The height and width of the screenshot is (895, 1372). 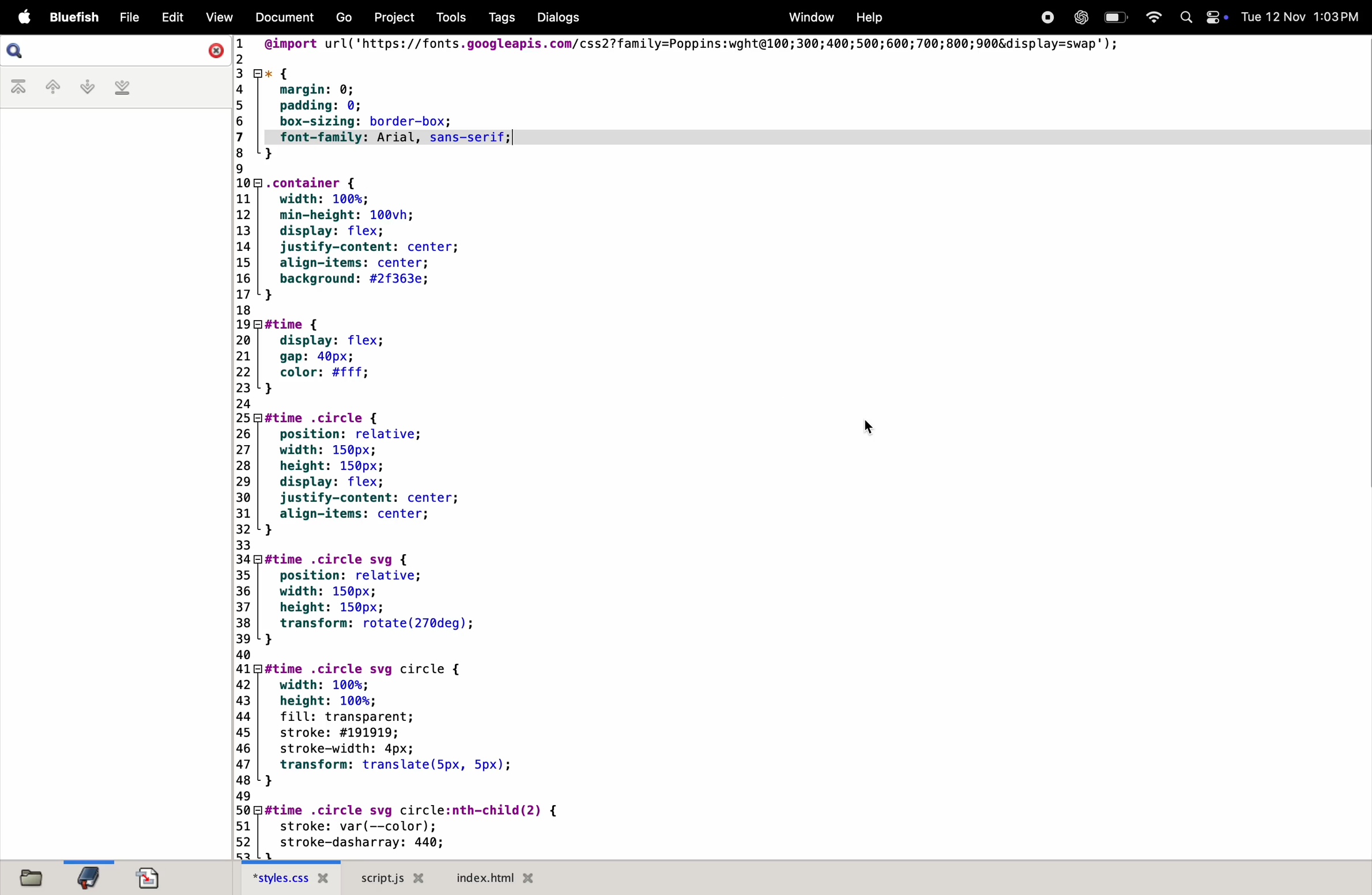 I want to click on file, so click(x=125, y=17).